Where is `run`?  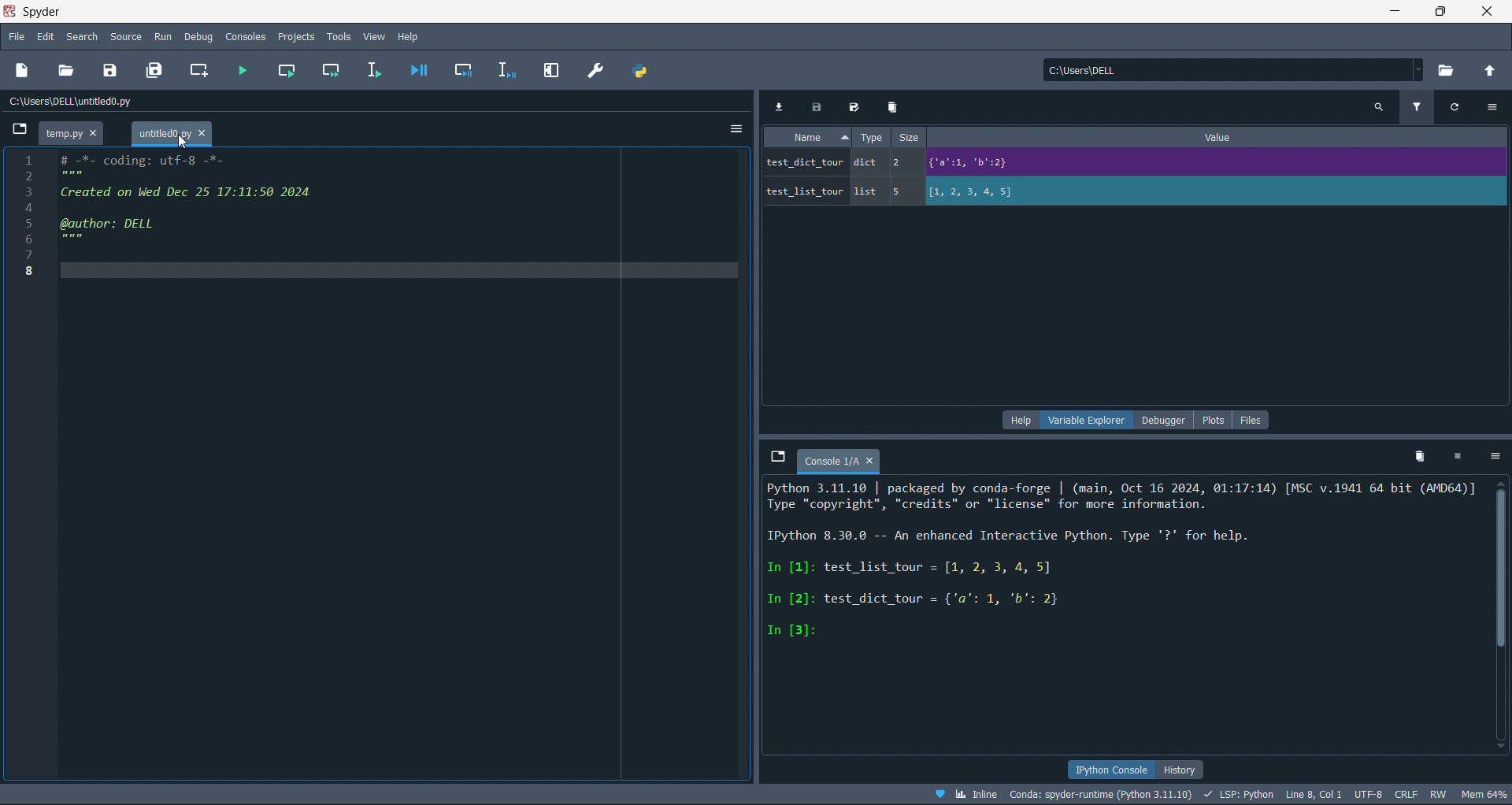
run is located at coordinates (161, 36).